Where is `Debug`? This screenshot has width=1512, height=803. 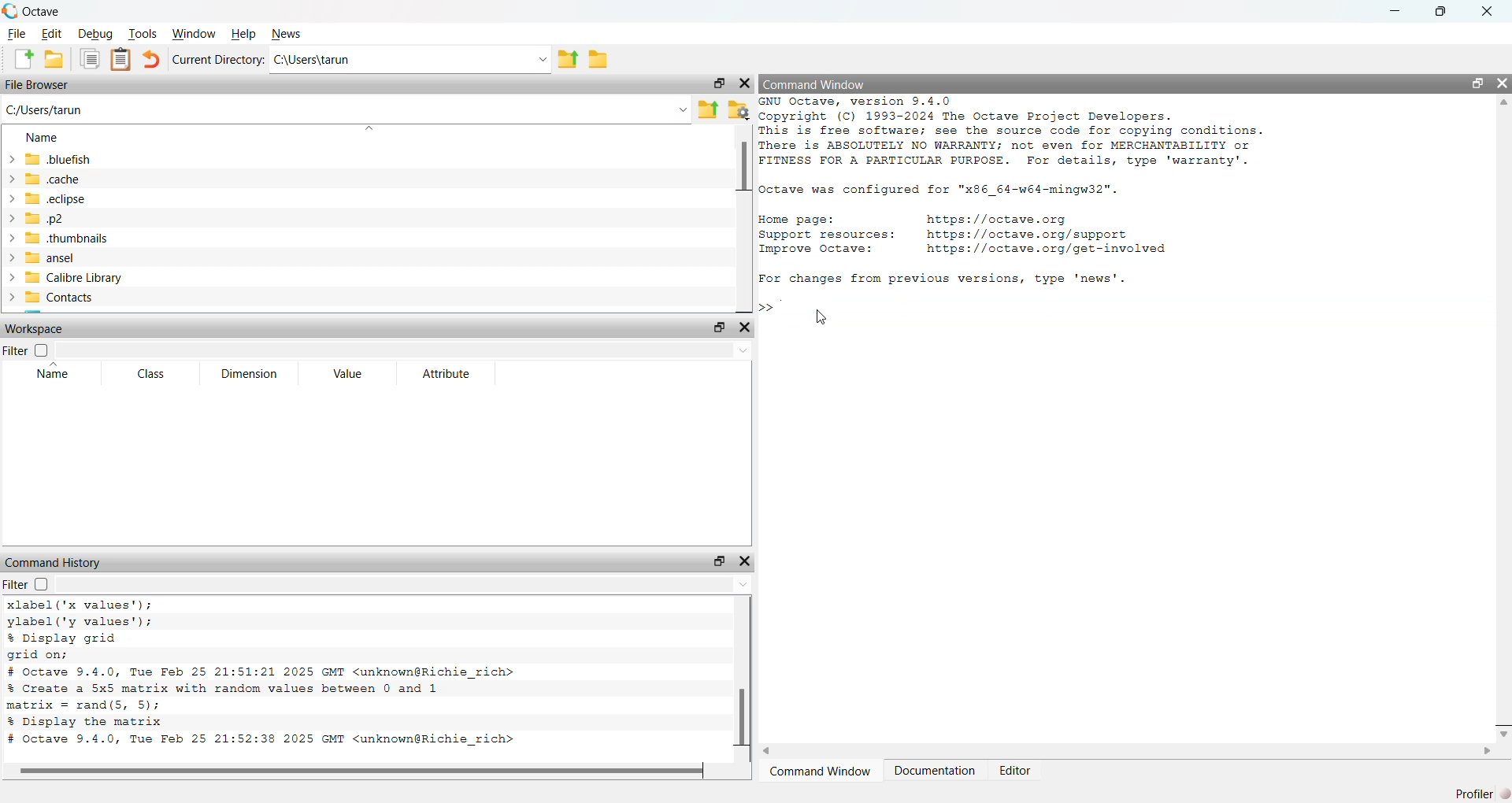
Debug is located at coordinates (96, 35).